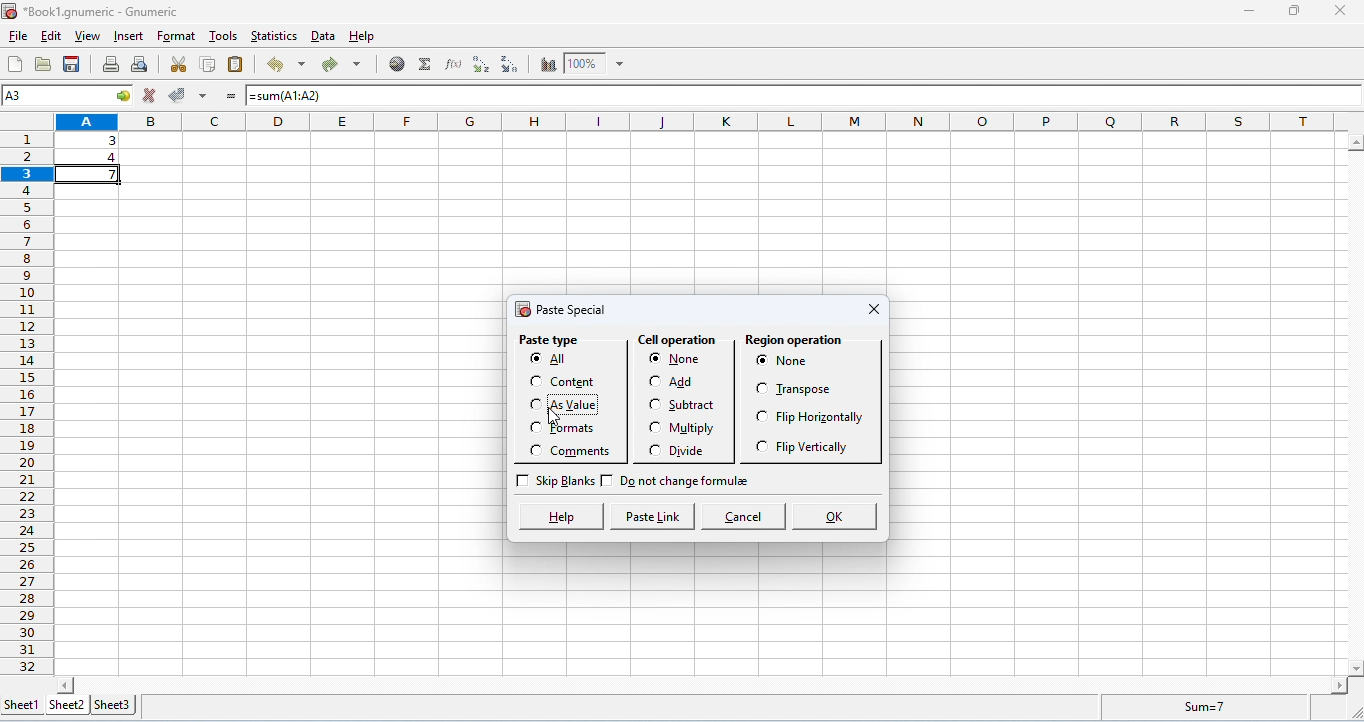 The image size is (1364, 722). What do you see at coordinates (795, 340) in the screenshot?
I see `region operation` at bounding box center [795, 340].